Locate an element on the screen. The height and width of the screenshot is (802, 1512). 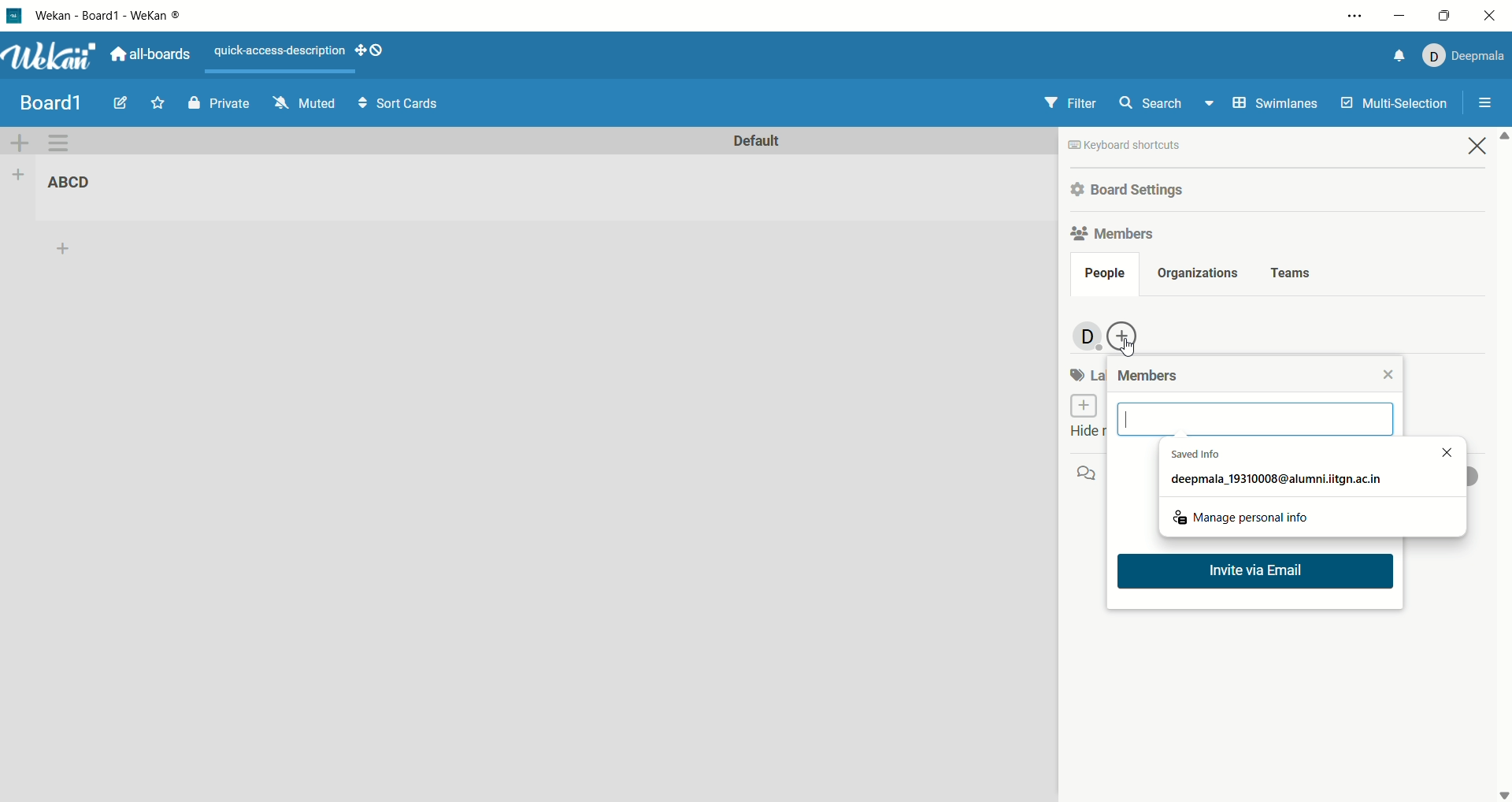
logo is located at coordinates (13, 15).